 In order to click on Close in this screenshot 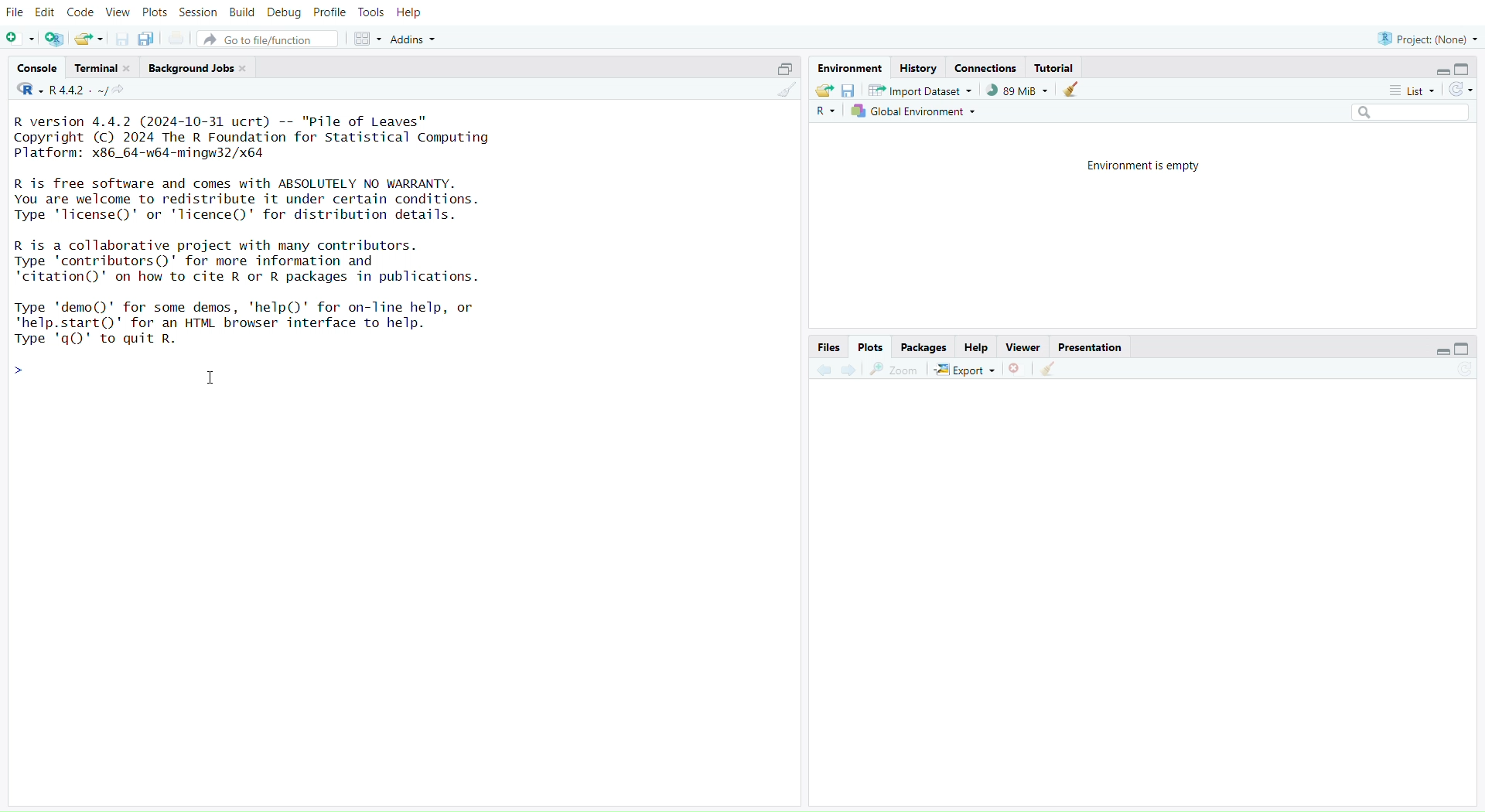, I will do `click(1016, 368)`.